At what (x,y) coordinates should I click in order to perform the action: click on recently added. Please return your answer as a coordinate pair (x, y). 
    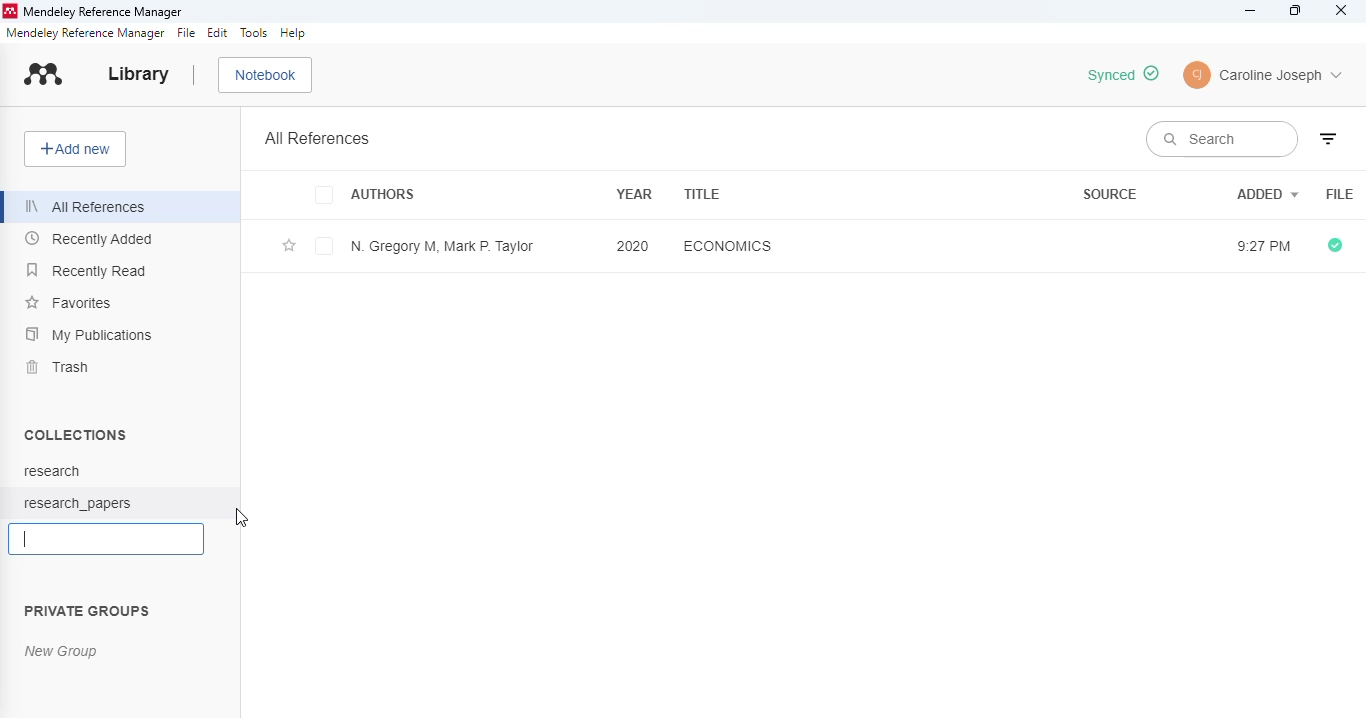
    Looking at the image, I should click on (90, 238).